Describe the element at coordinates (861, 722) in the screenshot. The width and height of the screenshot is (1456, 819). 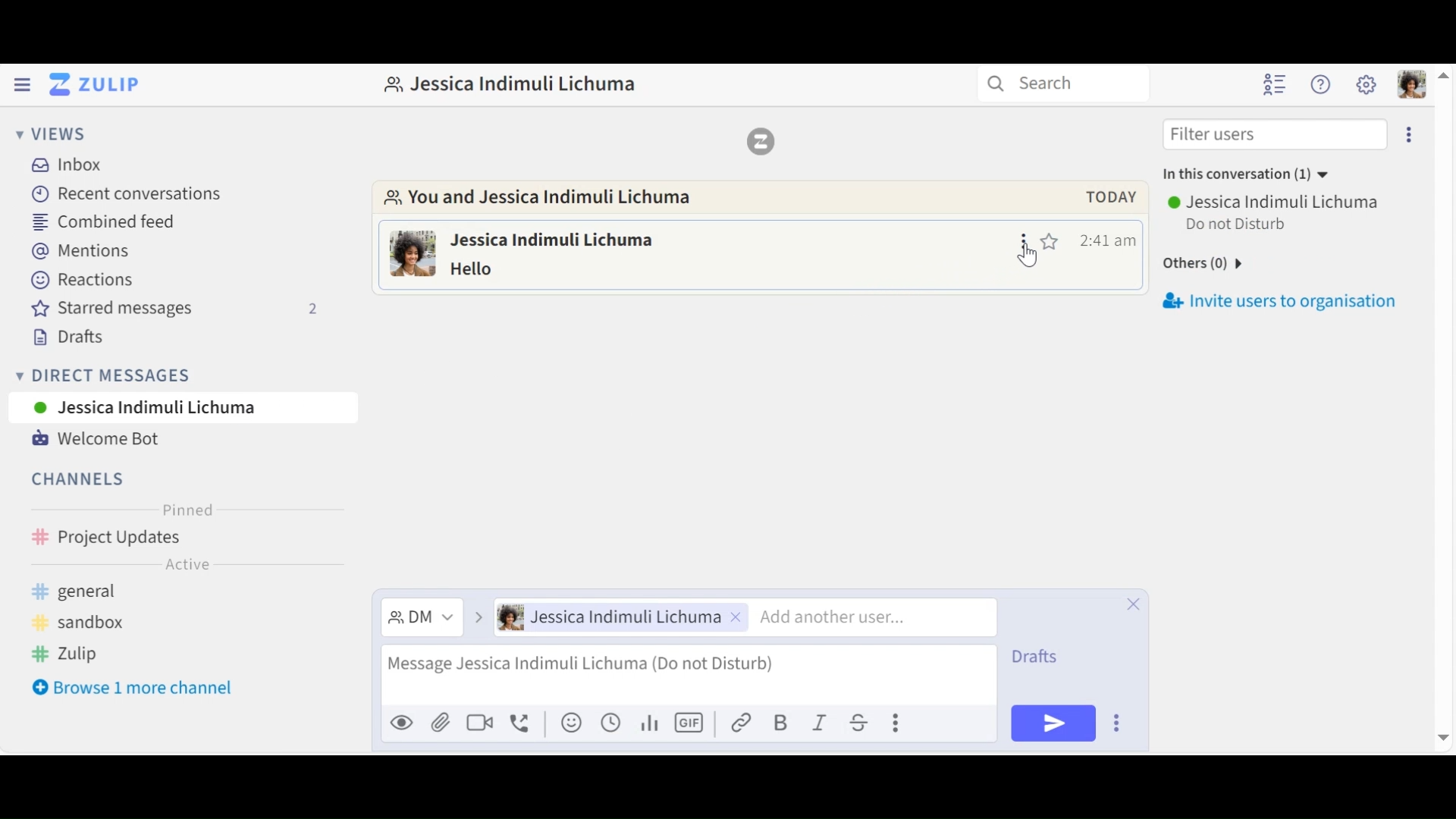
I see `Strikethrough` at that location.